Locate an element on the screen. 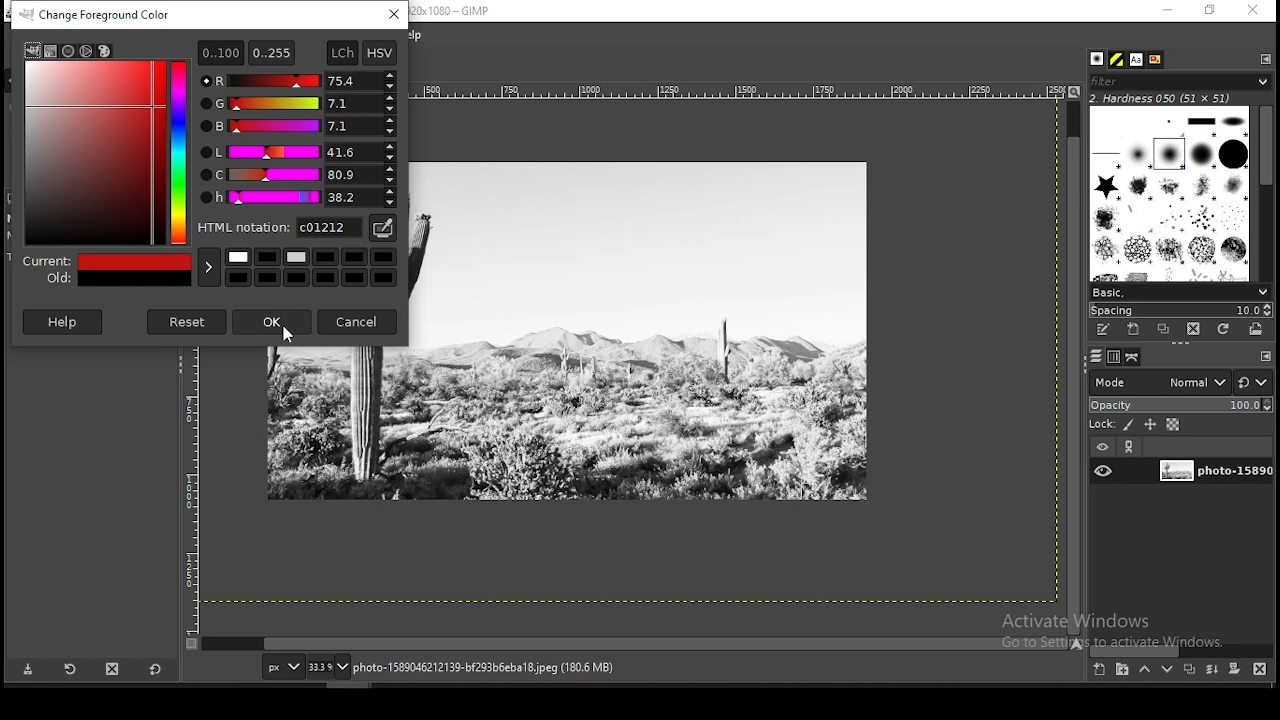  color picker is located at coordinates (381, 229).